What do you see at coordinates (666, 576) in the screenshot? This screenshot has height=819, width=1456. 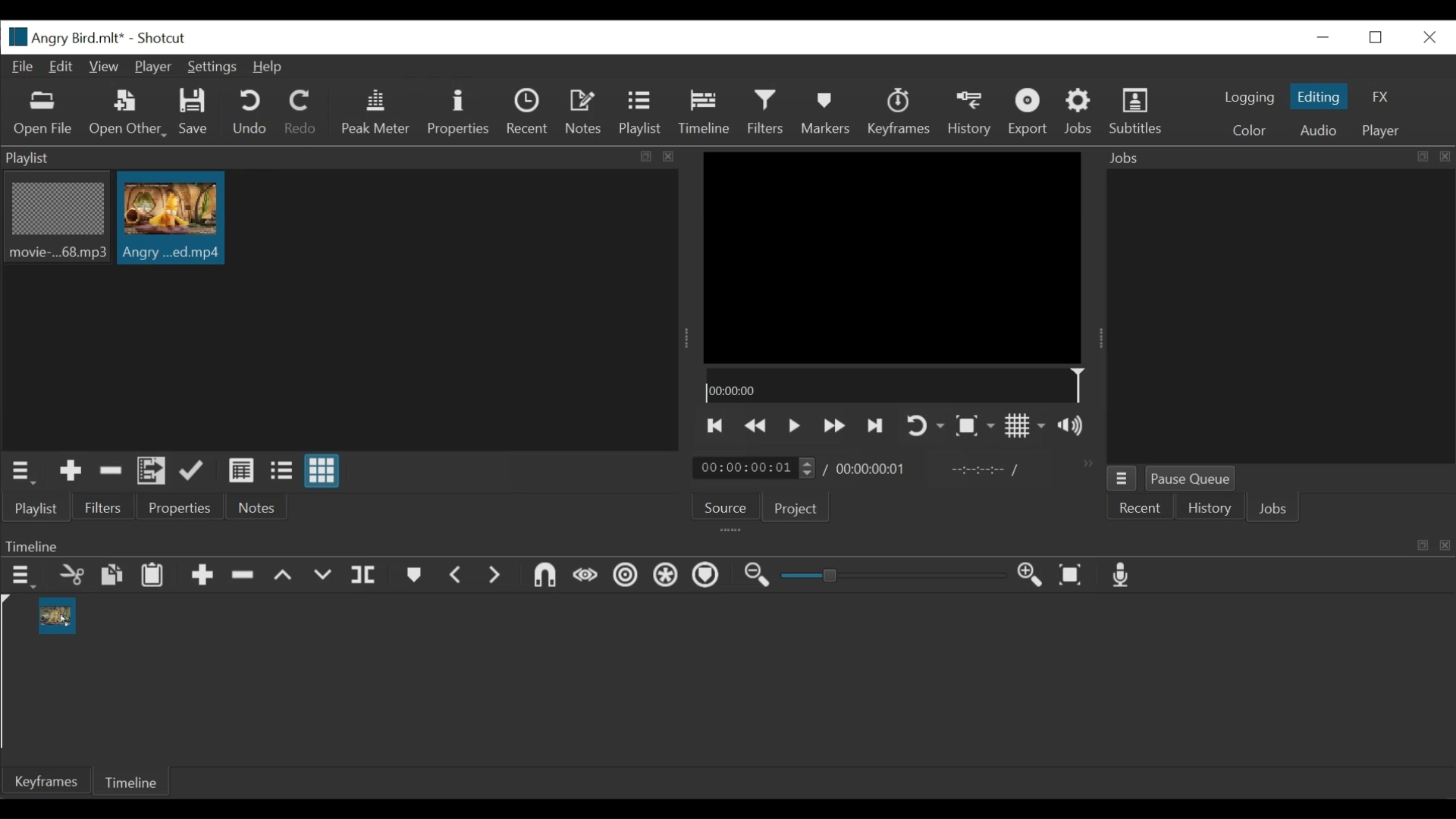 I see `Ripple all tracks` at bounding box center [666, 576].